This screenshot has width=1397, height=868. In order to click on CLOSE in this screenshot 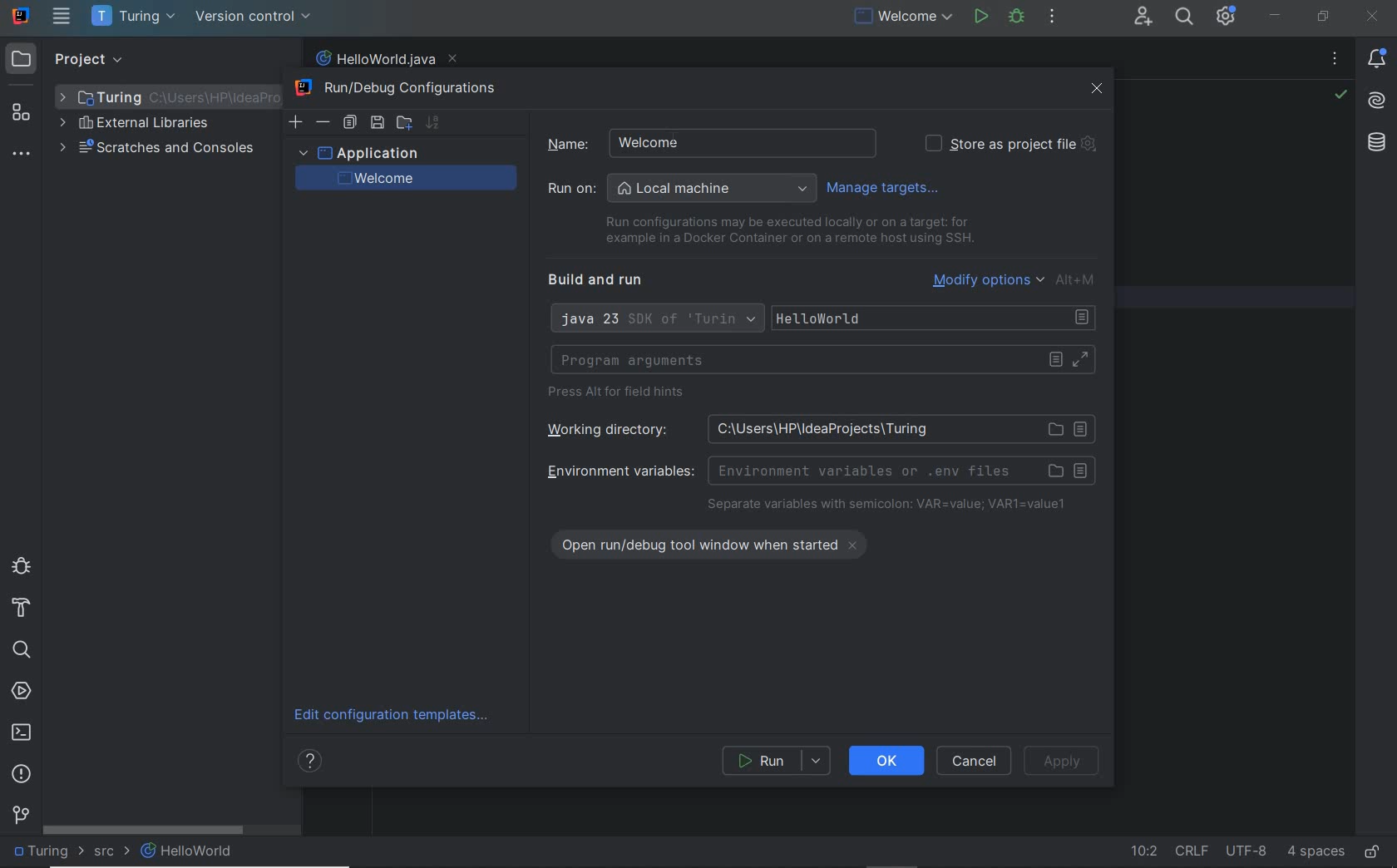, I will do `click(1373, 17)`.